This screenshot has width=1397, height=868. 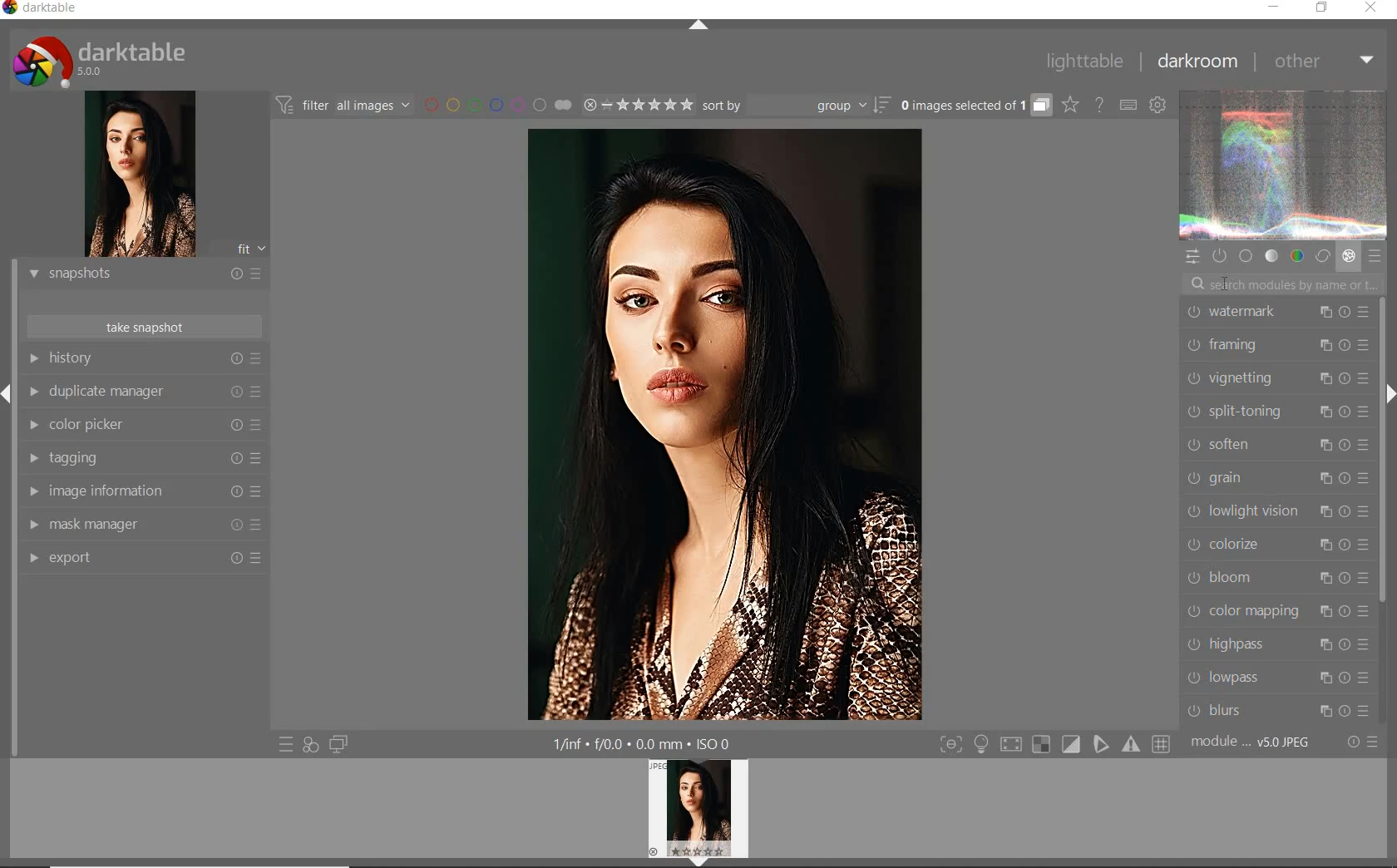 I want to click on quick access for applying any of your styles, so click(x=309, y=746).